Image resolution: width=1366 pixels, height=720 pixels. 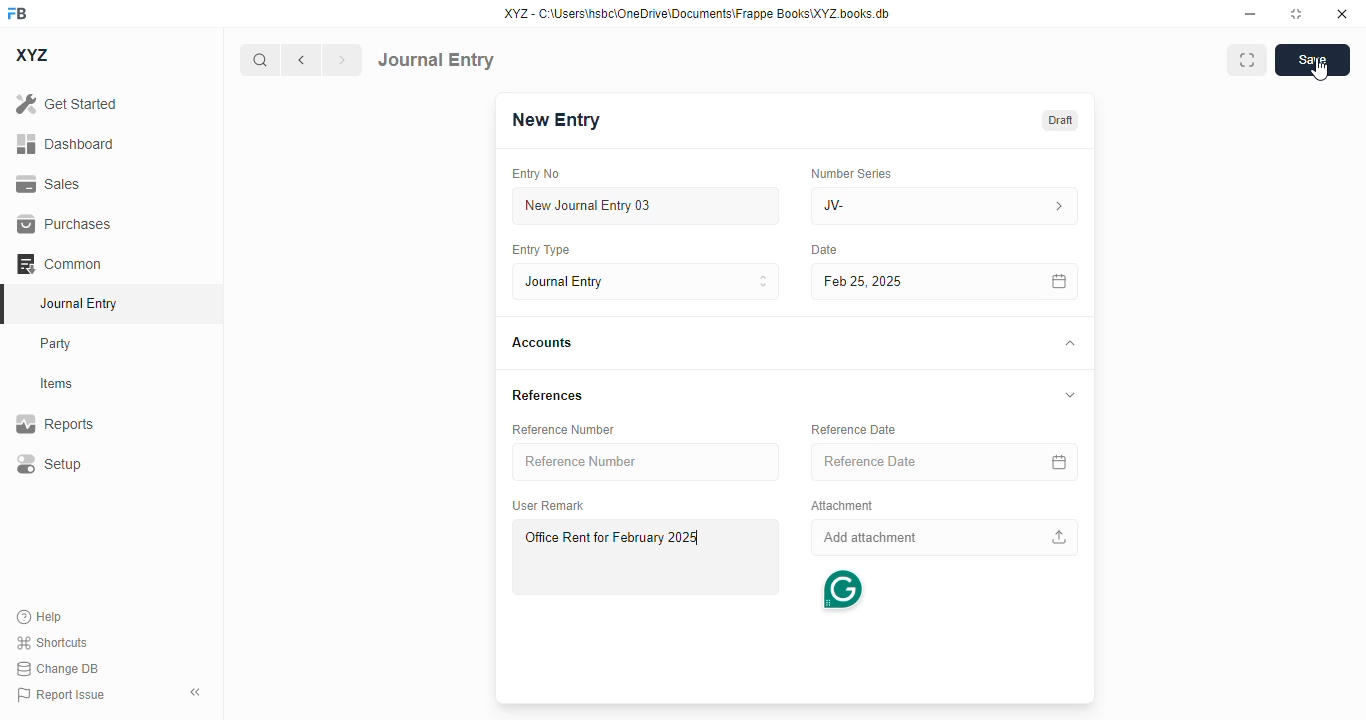 What do you see at coordinates (898, 206) in the screenshot?
I see `JV-` at bounding box center [898, 206].